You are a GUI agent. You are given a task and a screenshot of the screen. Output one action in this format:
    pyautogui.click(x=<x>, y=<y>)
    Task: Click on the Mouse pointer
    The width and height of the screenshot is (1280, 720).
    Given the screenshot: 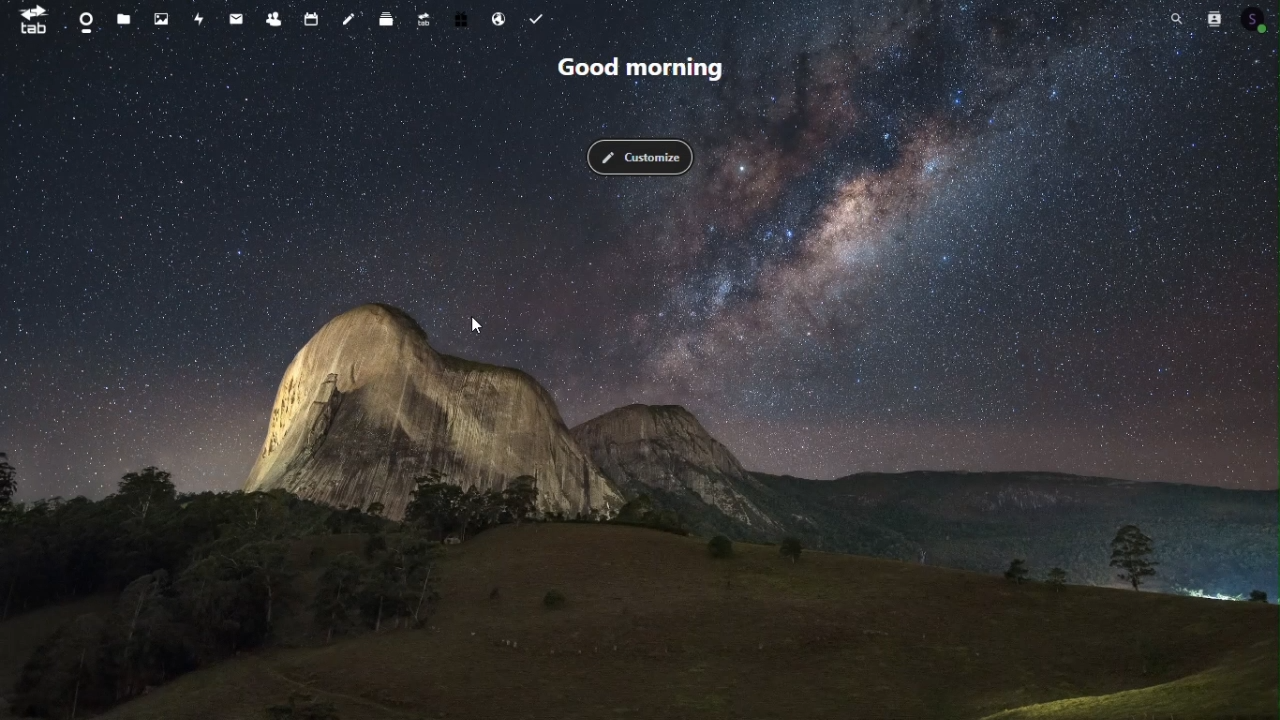 What is the action you would take?
    pyautogui.click(x=478, y=327)
    